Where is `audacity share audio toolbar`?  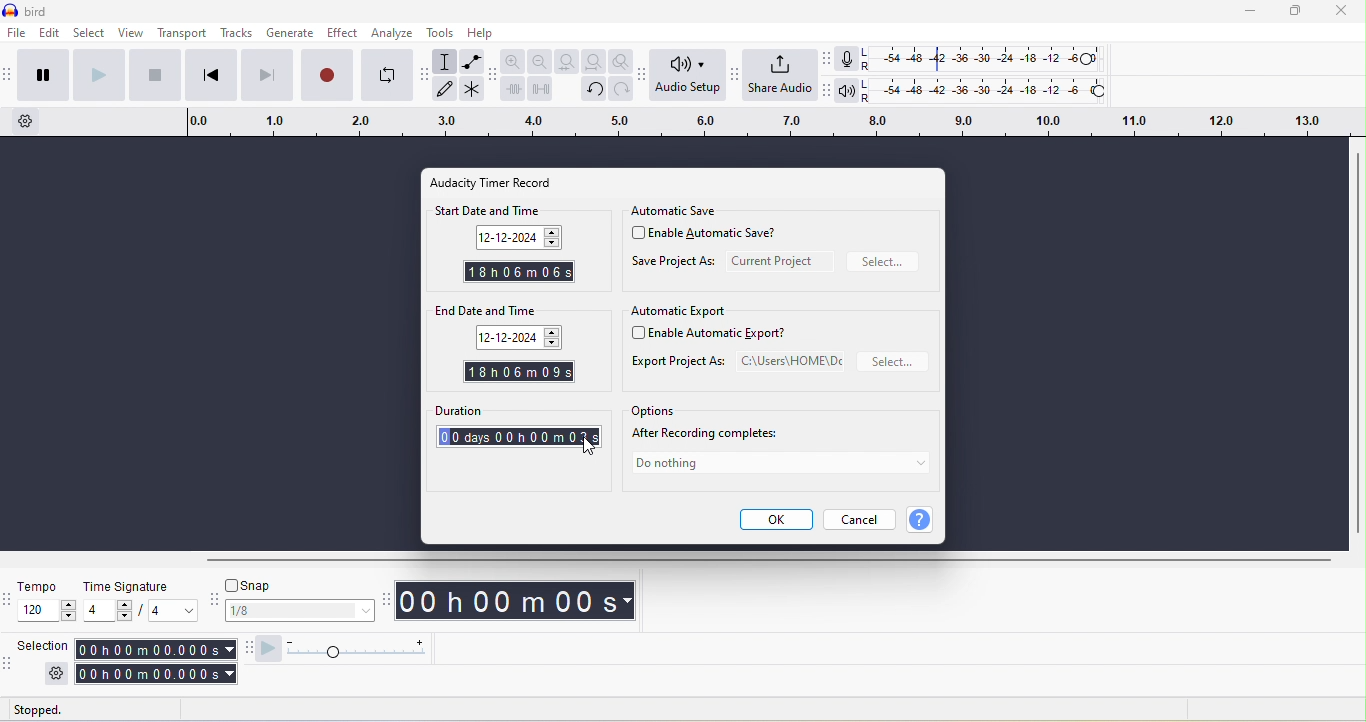 audacity share audio toolbar is located at coordinates (735, 73).